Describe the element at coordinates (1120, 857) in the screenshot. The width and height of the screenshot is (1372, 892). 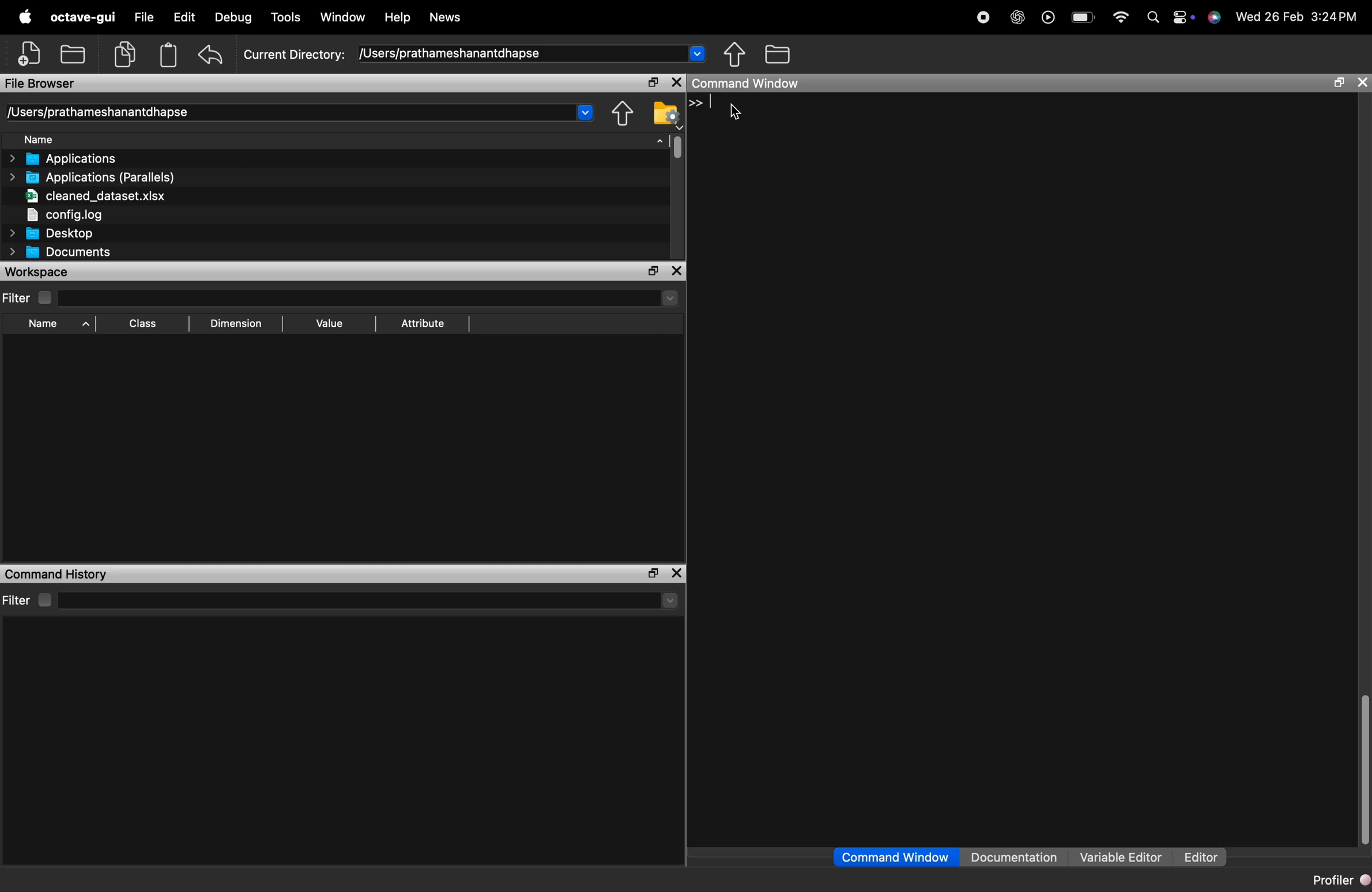
I see `Variable Editor` at that location.